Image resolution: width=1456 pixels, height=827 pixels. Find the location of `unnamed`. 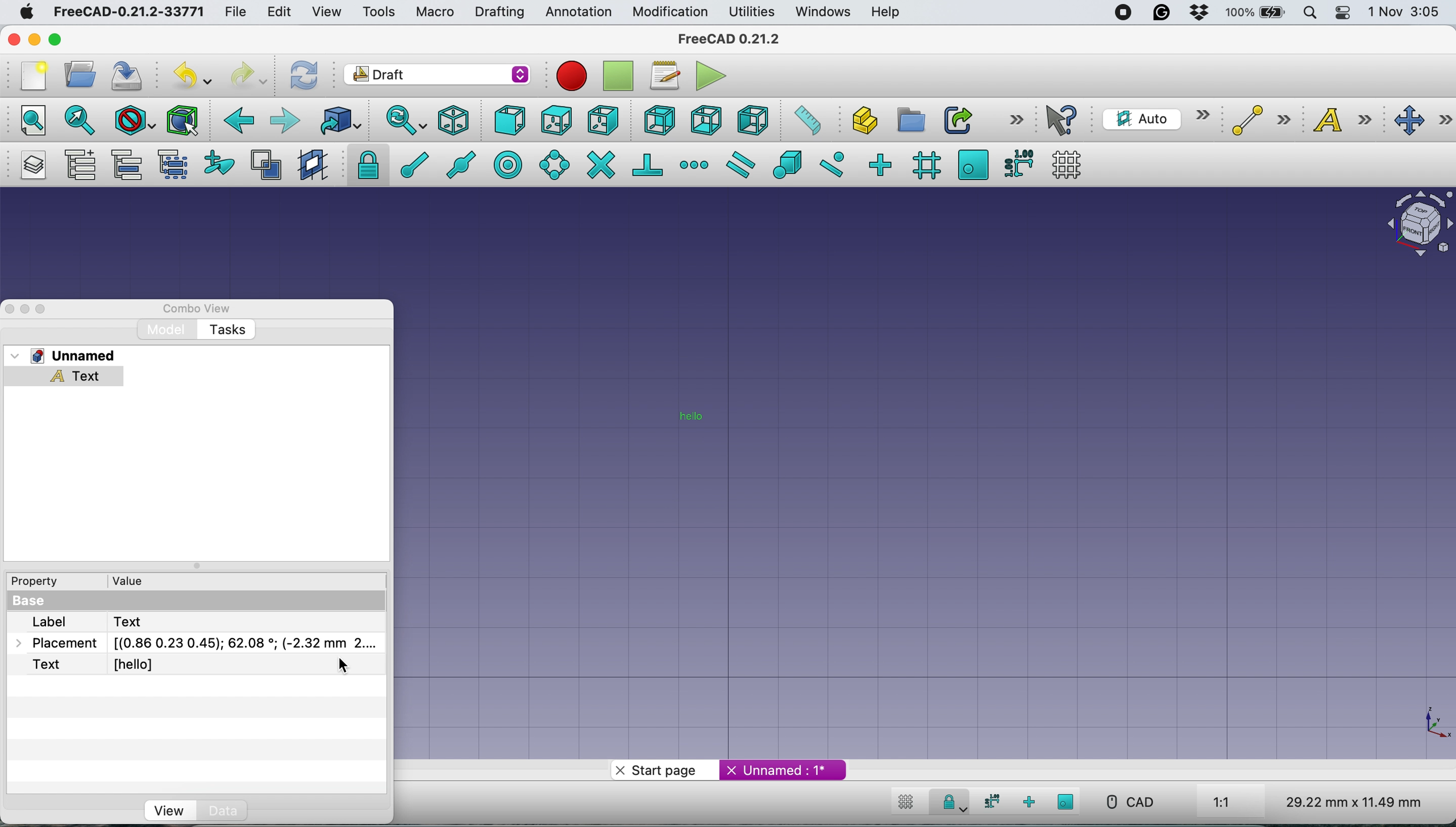

unnamed is located at coordinates (66, 355).